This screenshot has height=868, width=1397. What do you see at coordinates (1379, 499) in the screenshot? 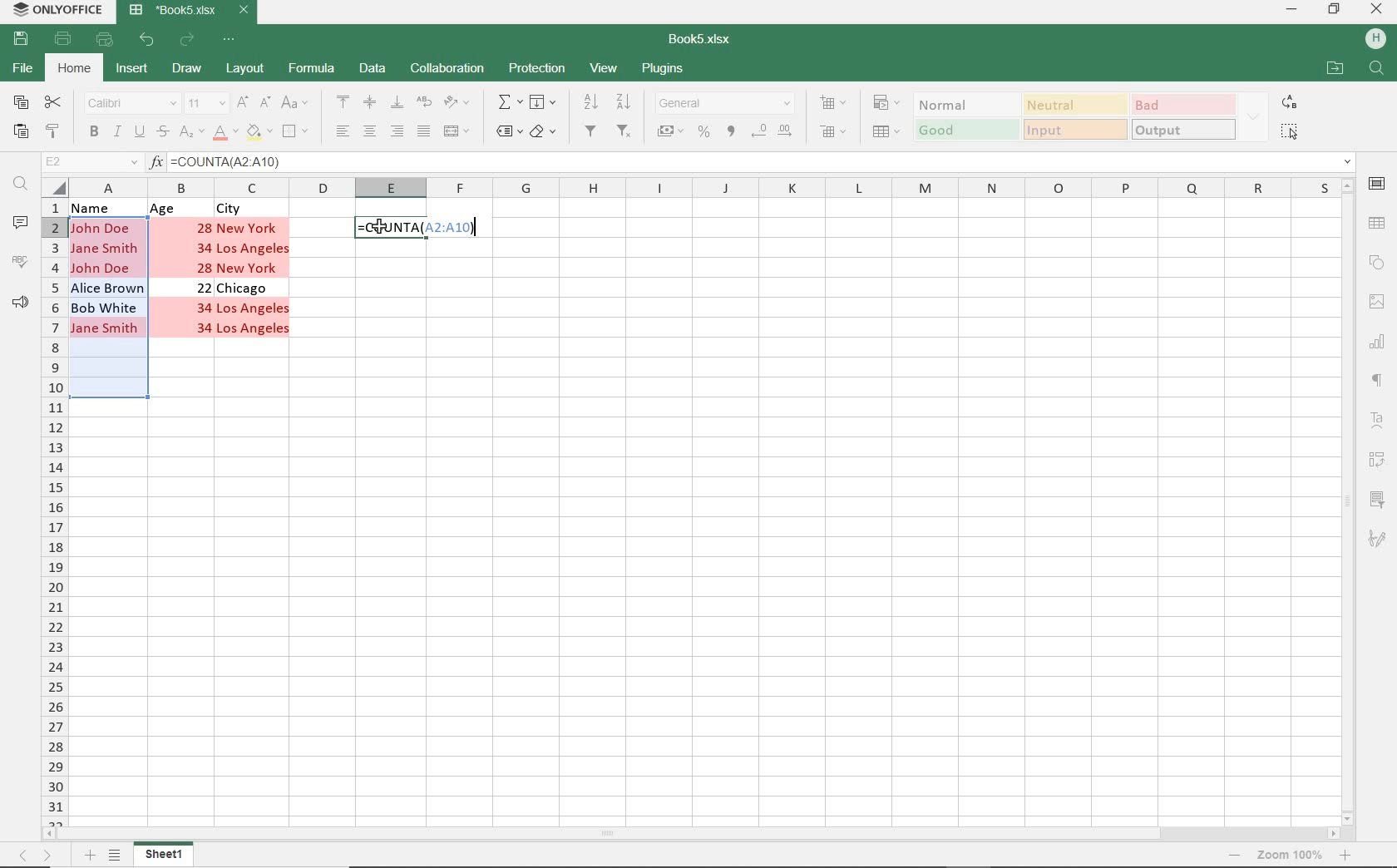
I see `Slicer` at bounding box center [1379, 499].